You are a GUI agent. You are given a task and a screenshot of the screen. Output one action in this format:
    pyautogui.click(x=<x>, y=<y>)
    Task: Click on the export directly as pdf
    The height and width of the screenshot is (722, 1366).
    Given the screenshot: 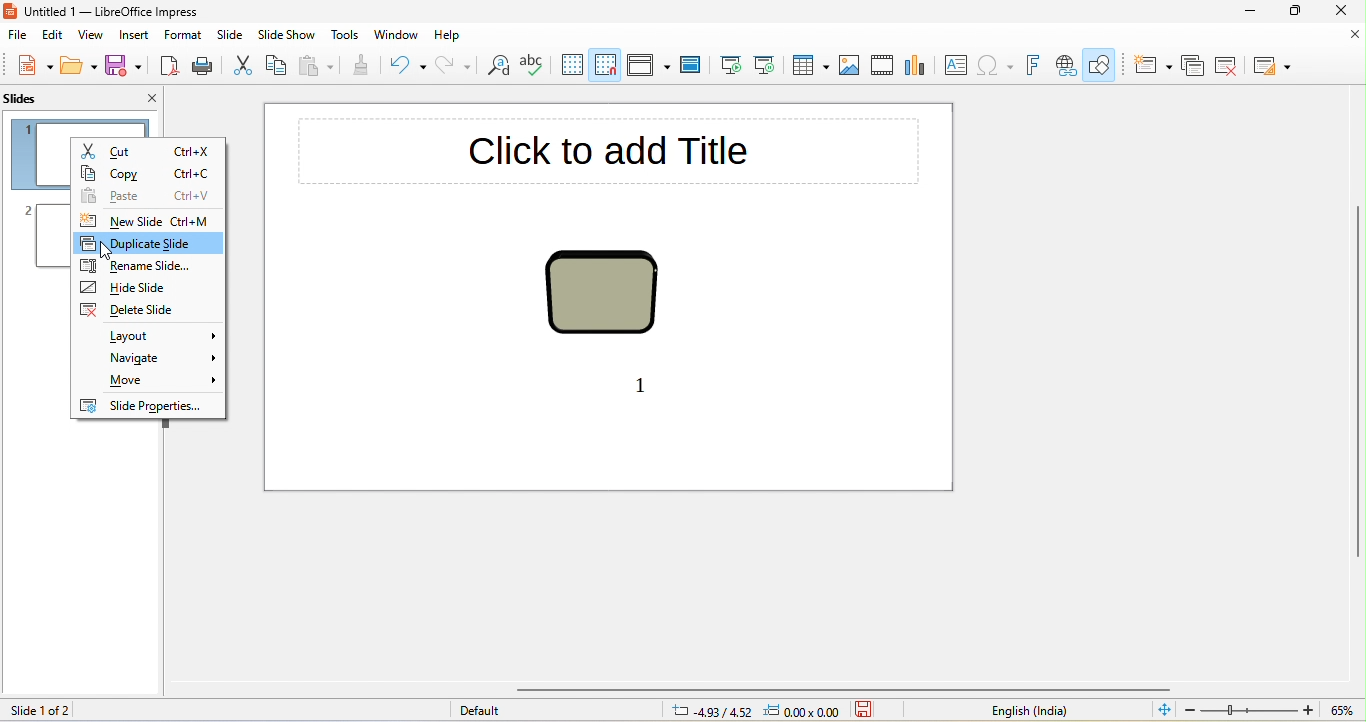 What is the action you would take?
    pyautogui.click(x=166, y=67)
    